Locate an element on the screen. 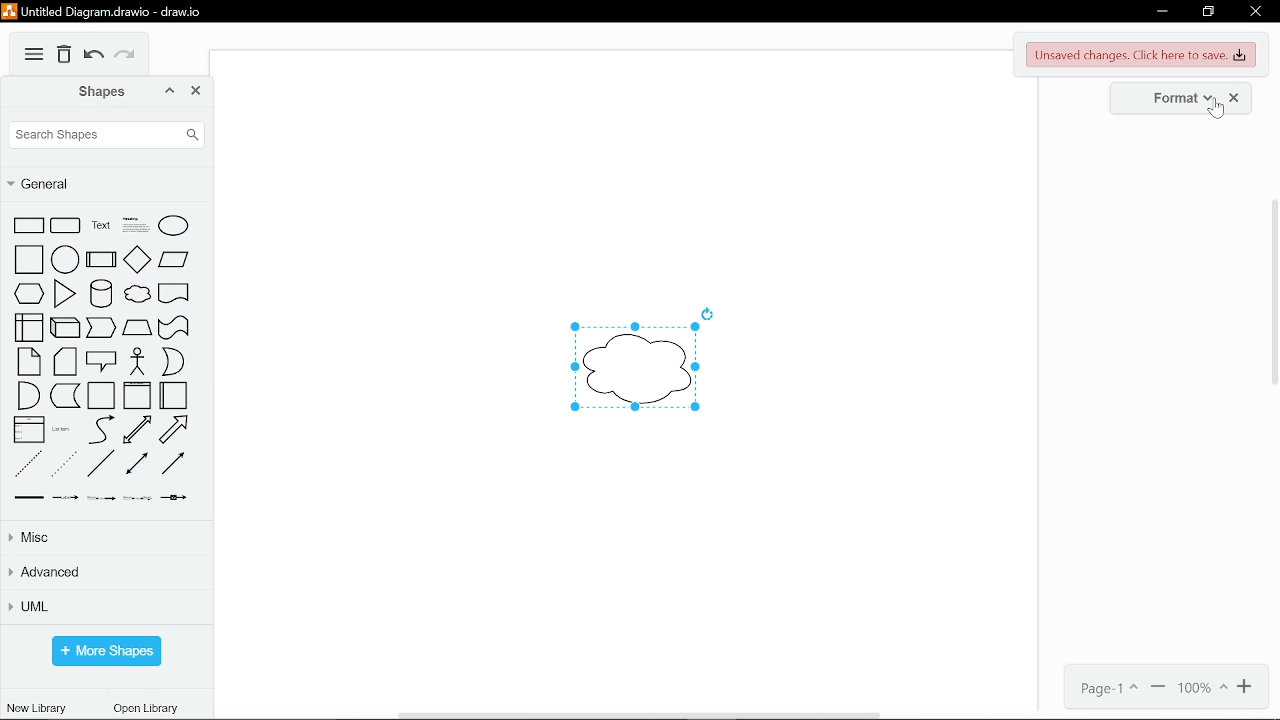  cloud diagram added is located at coordinates (634, 367).